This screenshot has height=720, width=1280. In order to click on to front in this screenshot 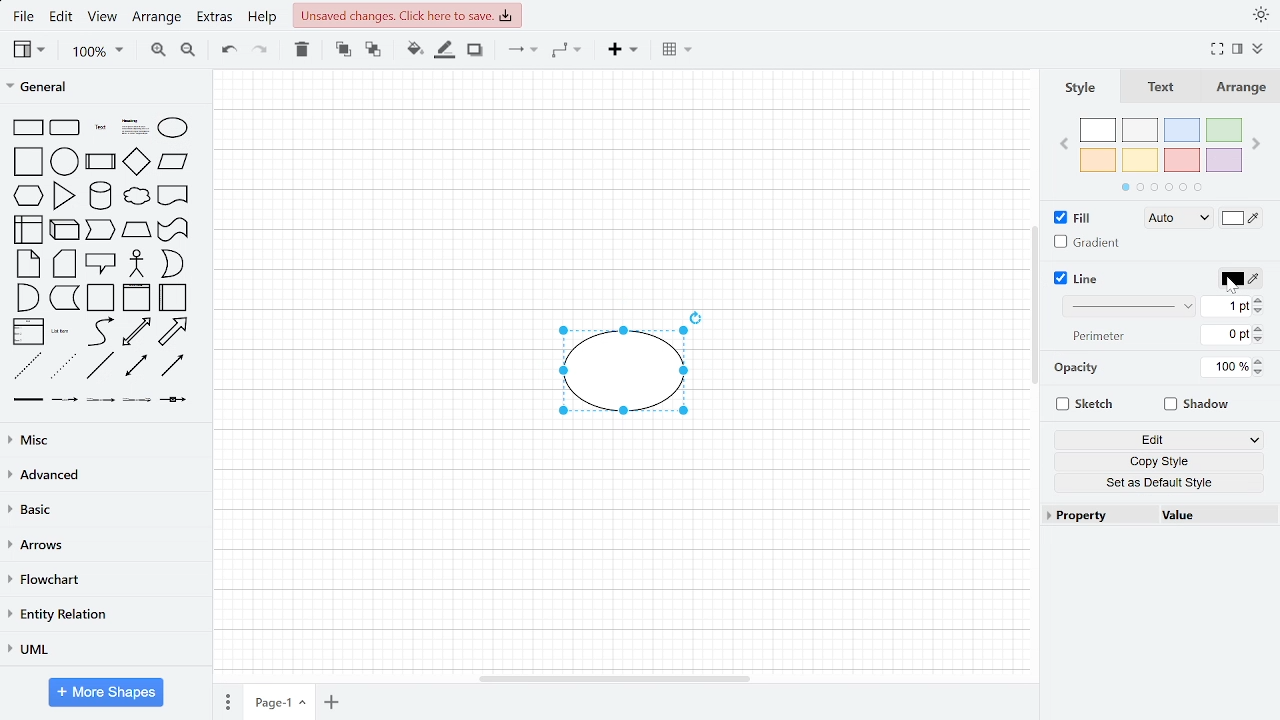, I will do `click(341, 50)`.